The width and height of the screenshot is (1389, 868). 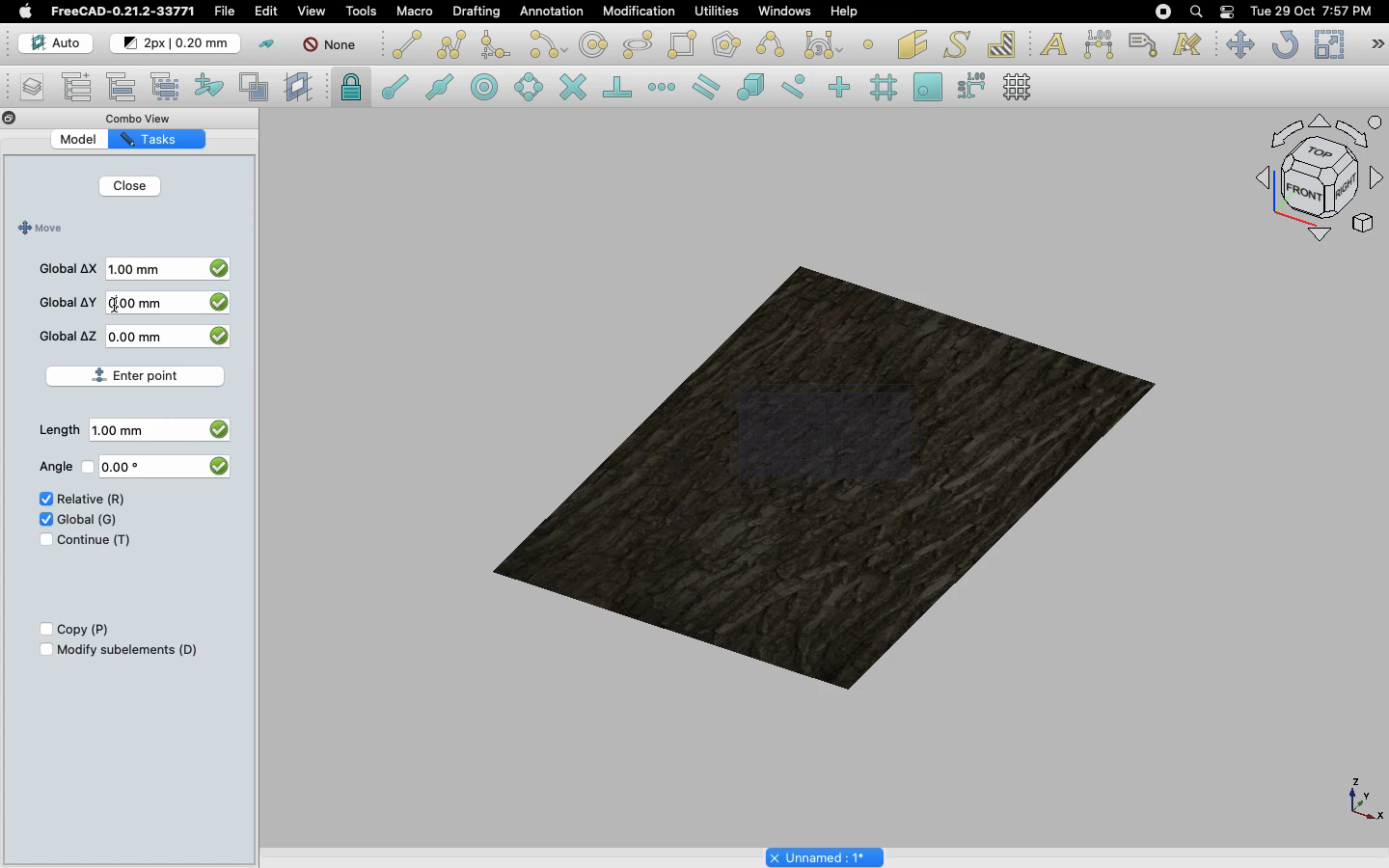 I want to click on Autogroup off, so click(x=333, y=46).